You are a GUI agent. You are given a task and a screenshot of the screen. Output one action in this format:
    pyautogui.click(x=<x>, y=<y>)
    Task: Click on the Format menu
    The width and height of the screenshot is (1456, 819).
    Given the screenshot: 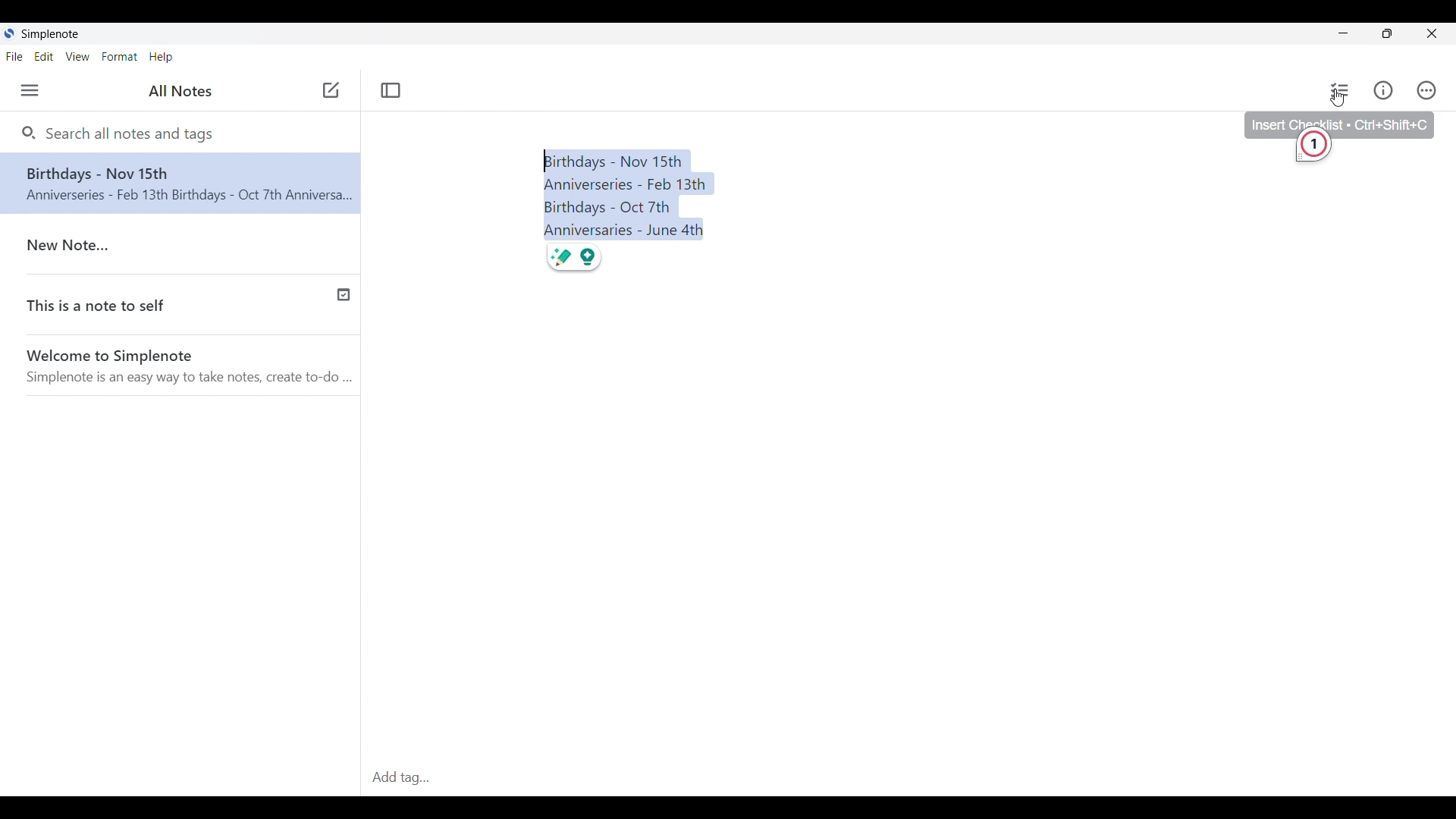 What is the action you would take?
    pyautogui.click(x=119, y=56)
    